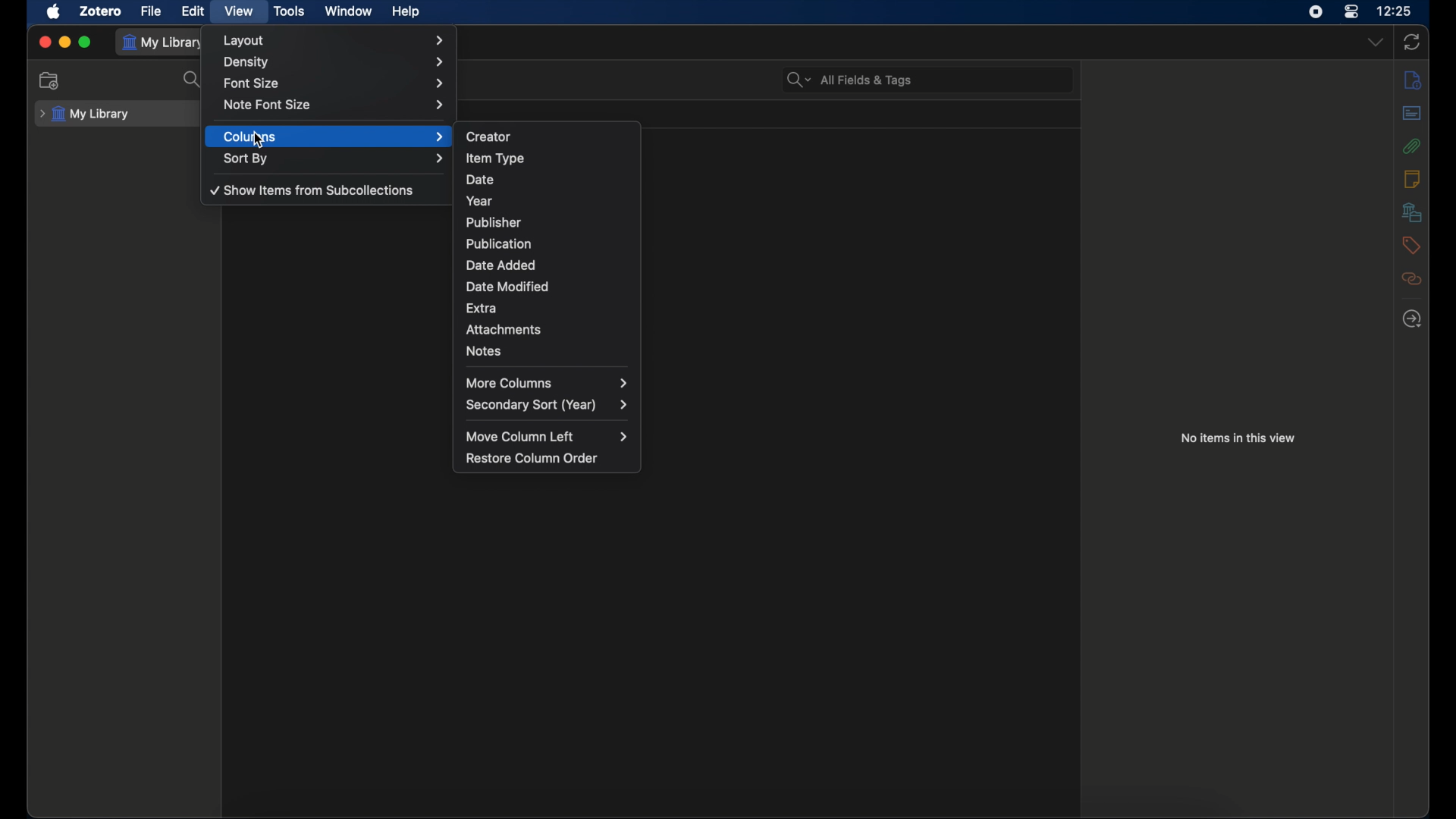  Describe the element at coordinates (49, 81) in the screenshot. I see `new collection` at that location.